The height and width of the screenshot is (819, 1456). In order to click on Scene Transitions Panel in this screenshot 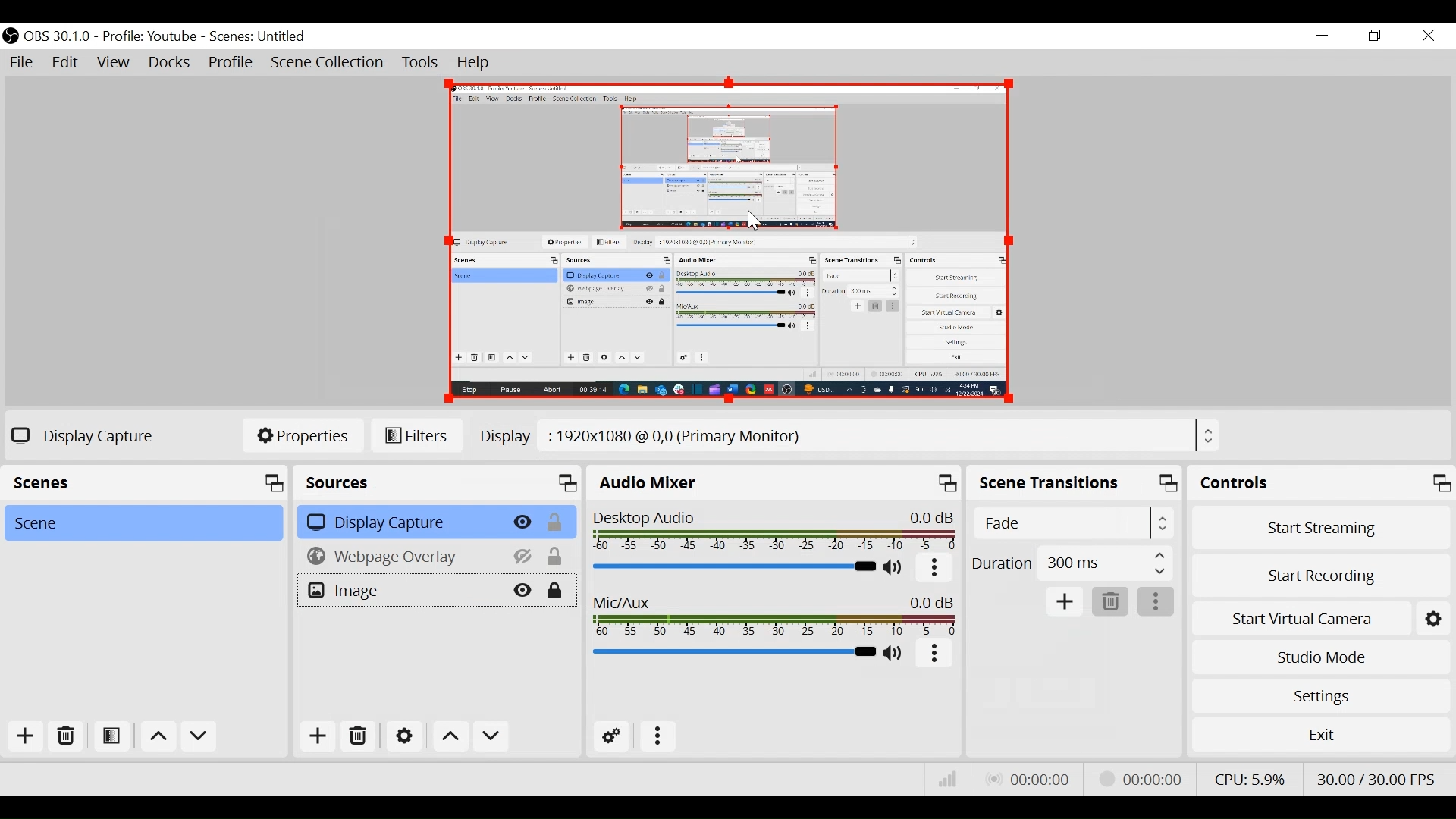, I will do `click(1075, 485)`.